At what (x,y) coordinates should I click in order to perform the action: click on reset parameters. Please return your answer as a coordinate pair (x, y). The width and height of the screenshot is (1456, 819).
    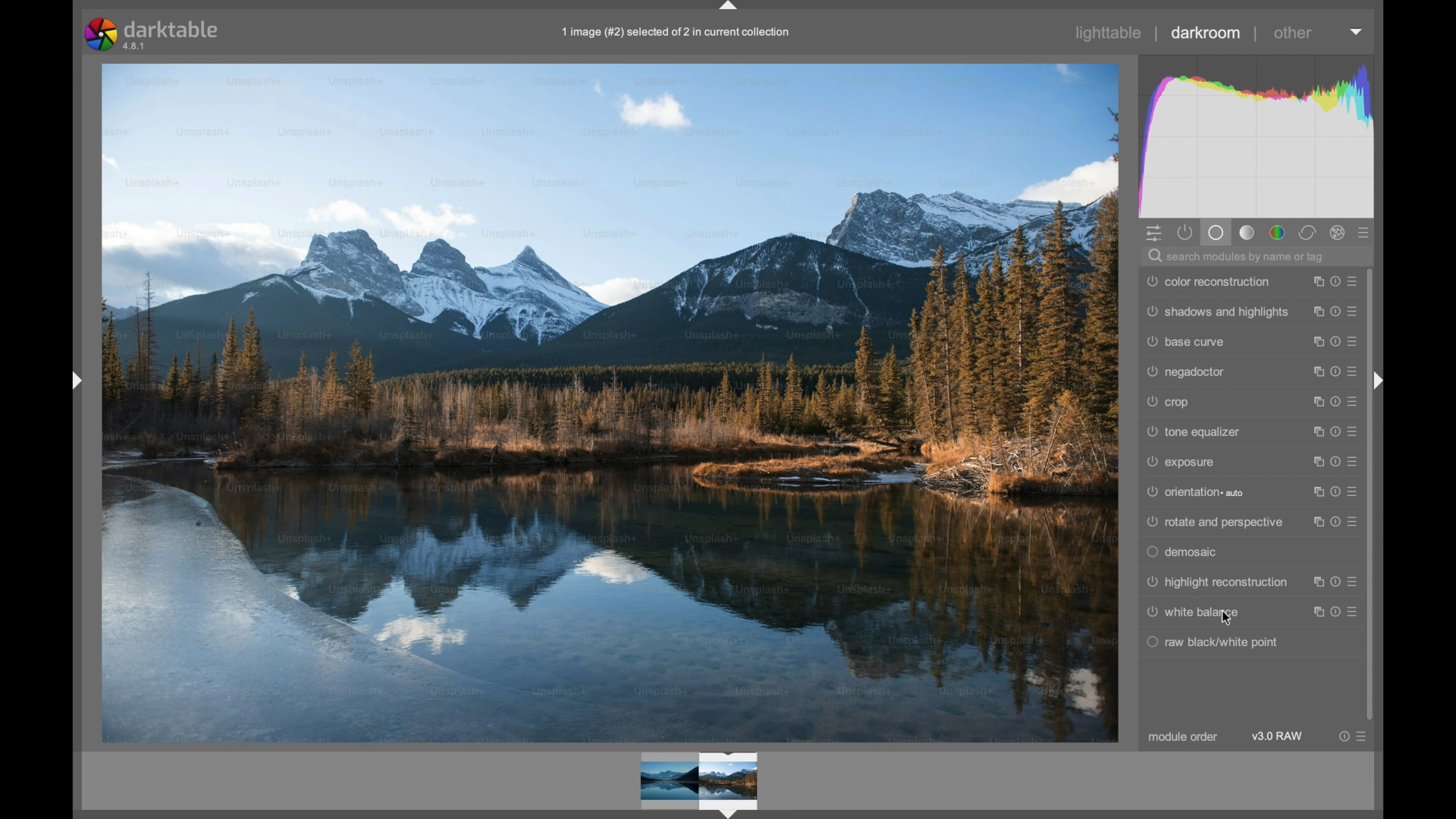
    Looking at the image, I should click on (1336, 581).